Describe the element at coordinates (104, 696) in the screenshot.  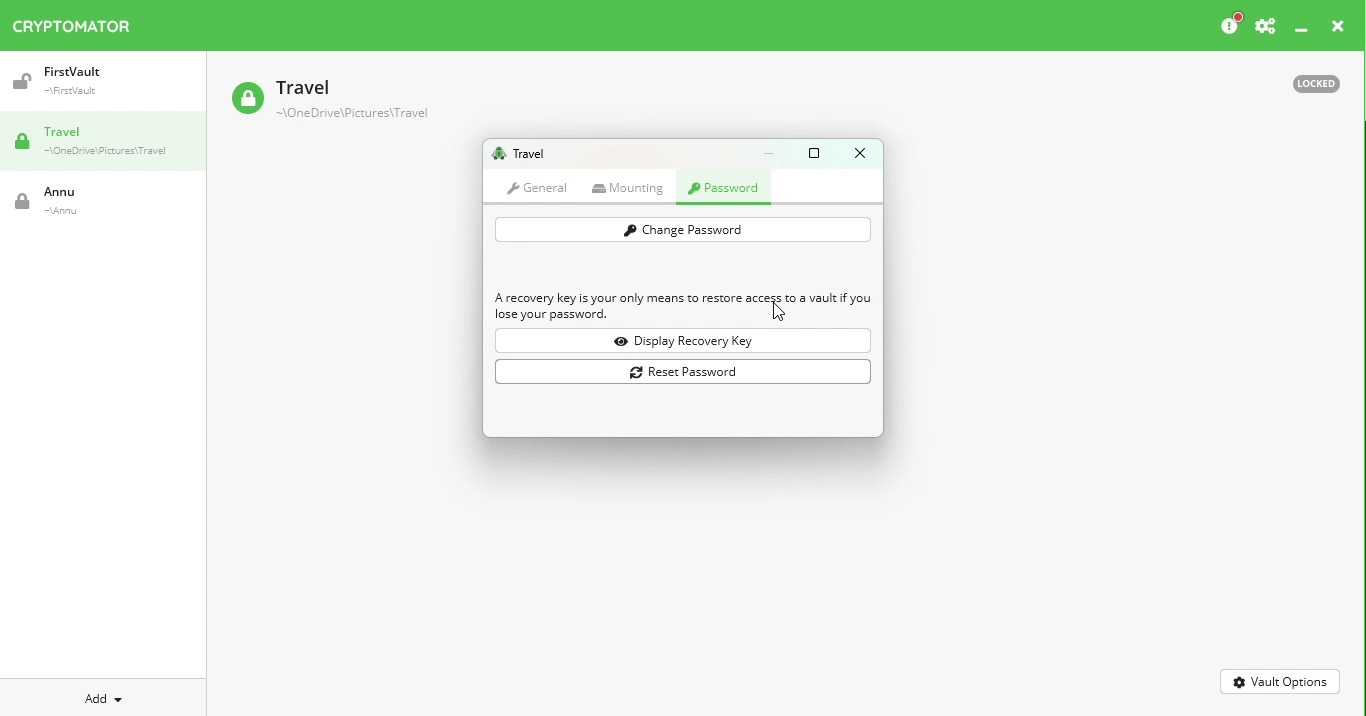
I see `Add new vault` at that location.